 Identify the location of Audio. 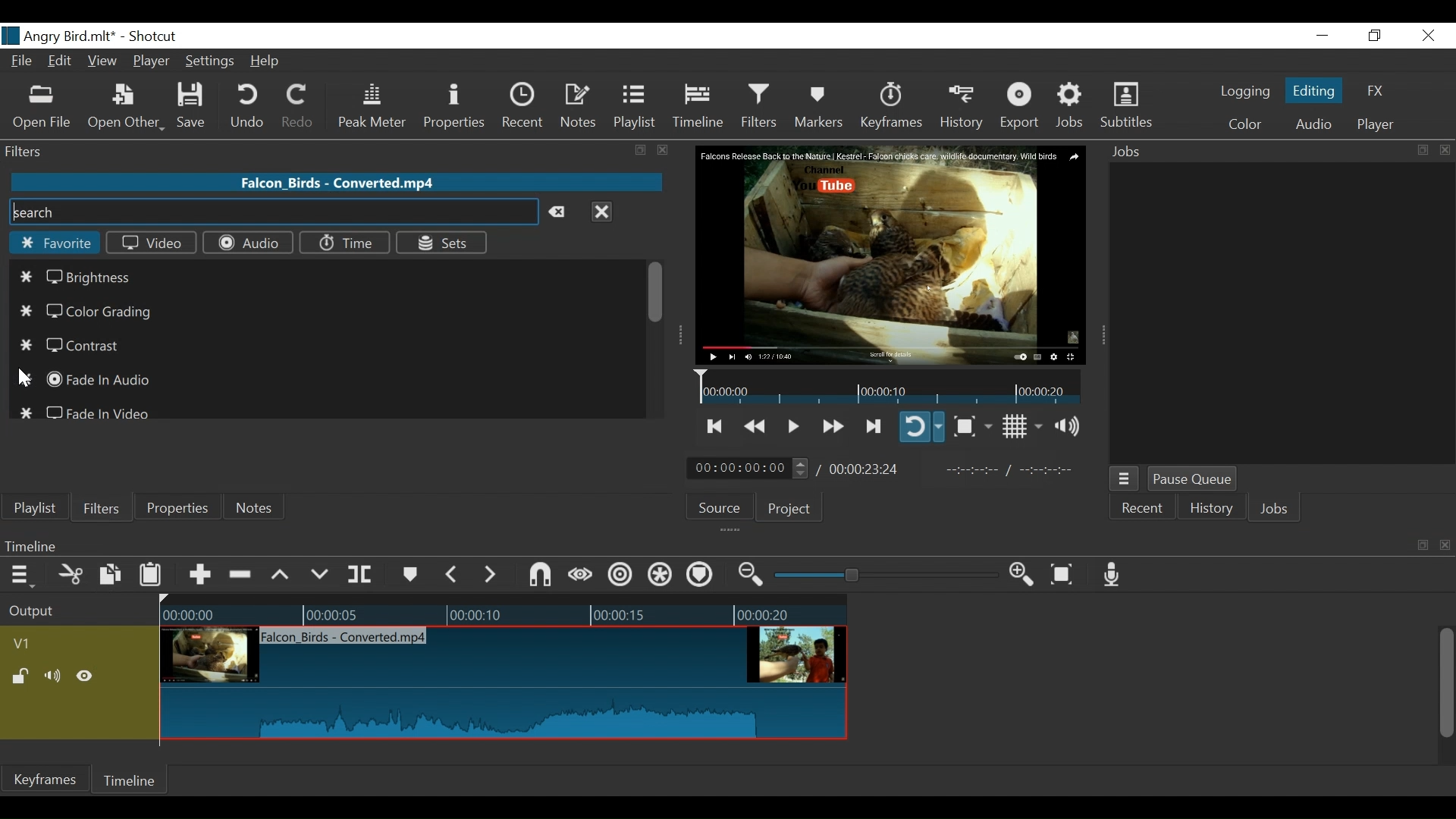
(1313, 126).